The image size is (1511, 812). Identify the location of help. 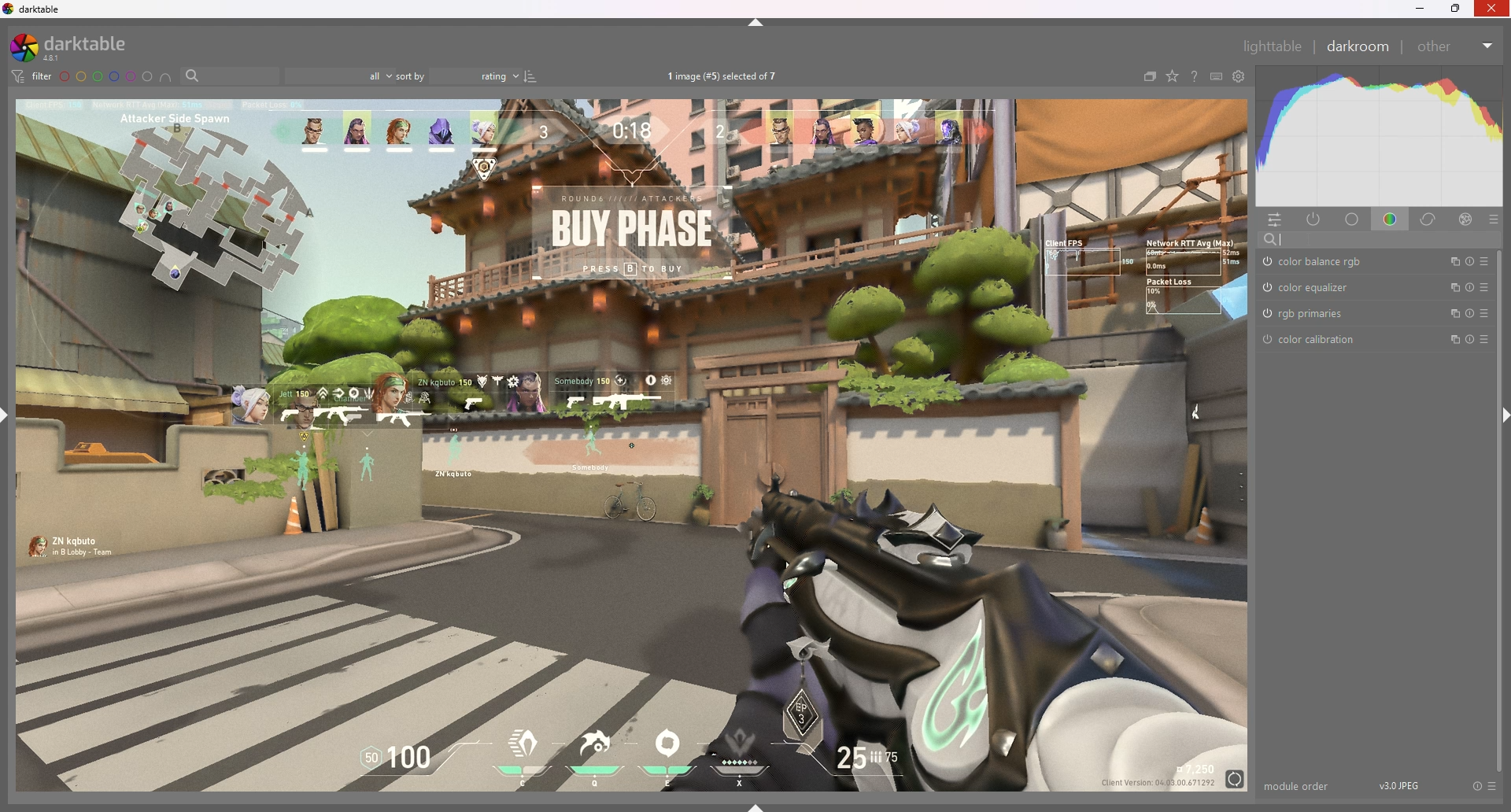
(1192, 76).